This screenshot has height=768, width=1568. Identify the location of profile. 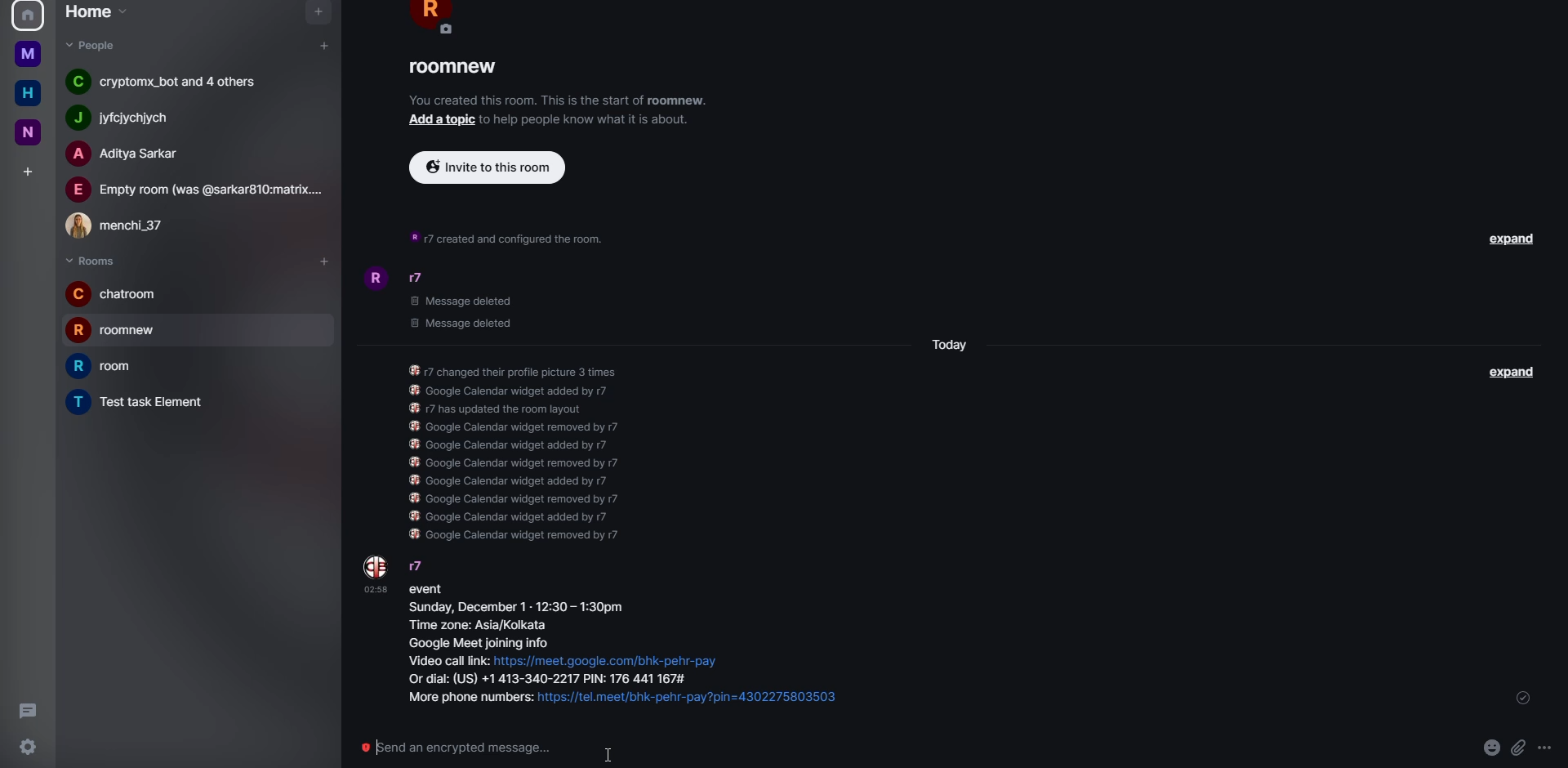
(374, 565).